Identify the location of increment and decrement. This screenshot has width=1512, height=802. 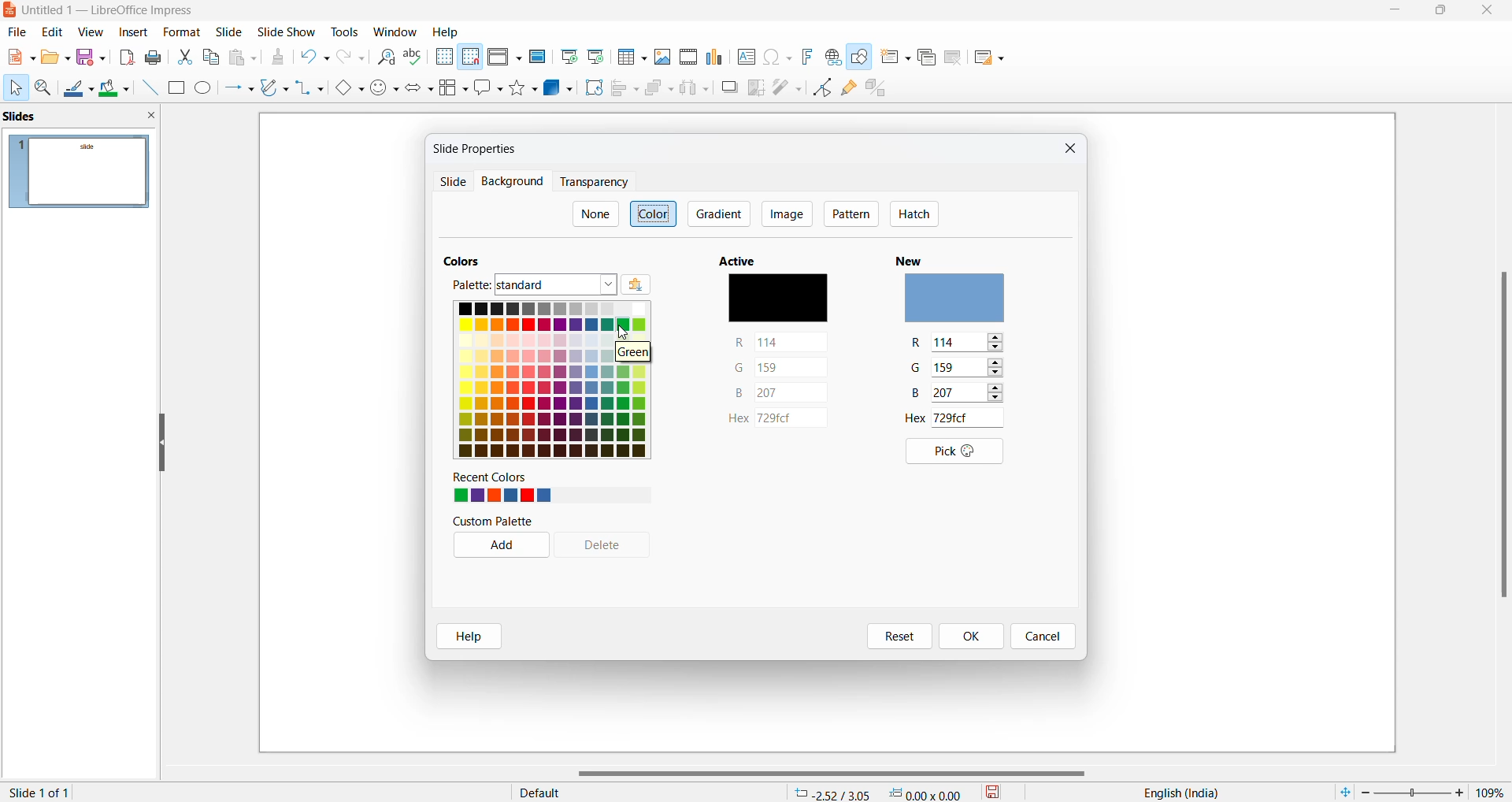
(996, 369).